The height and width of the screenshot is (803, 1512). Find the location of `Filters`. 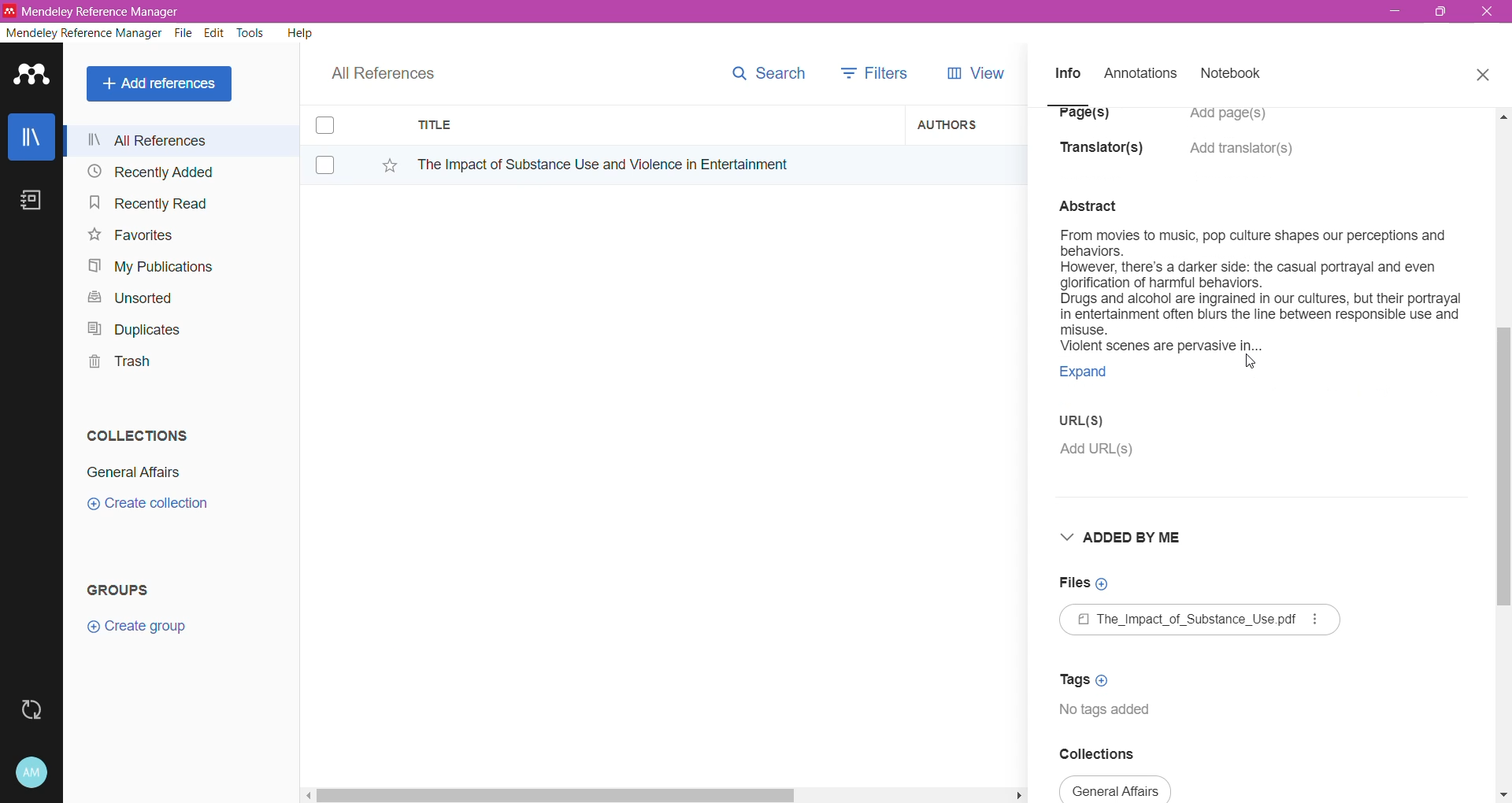

Filters is located at coordinates (879, 72).